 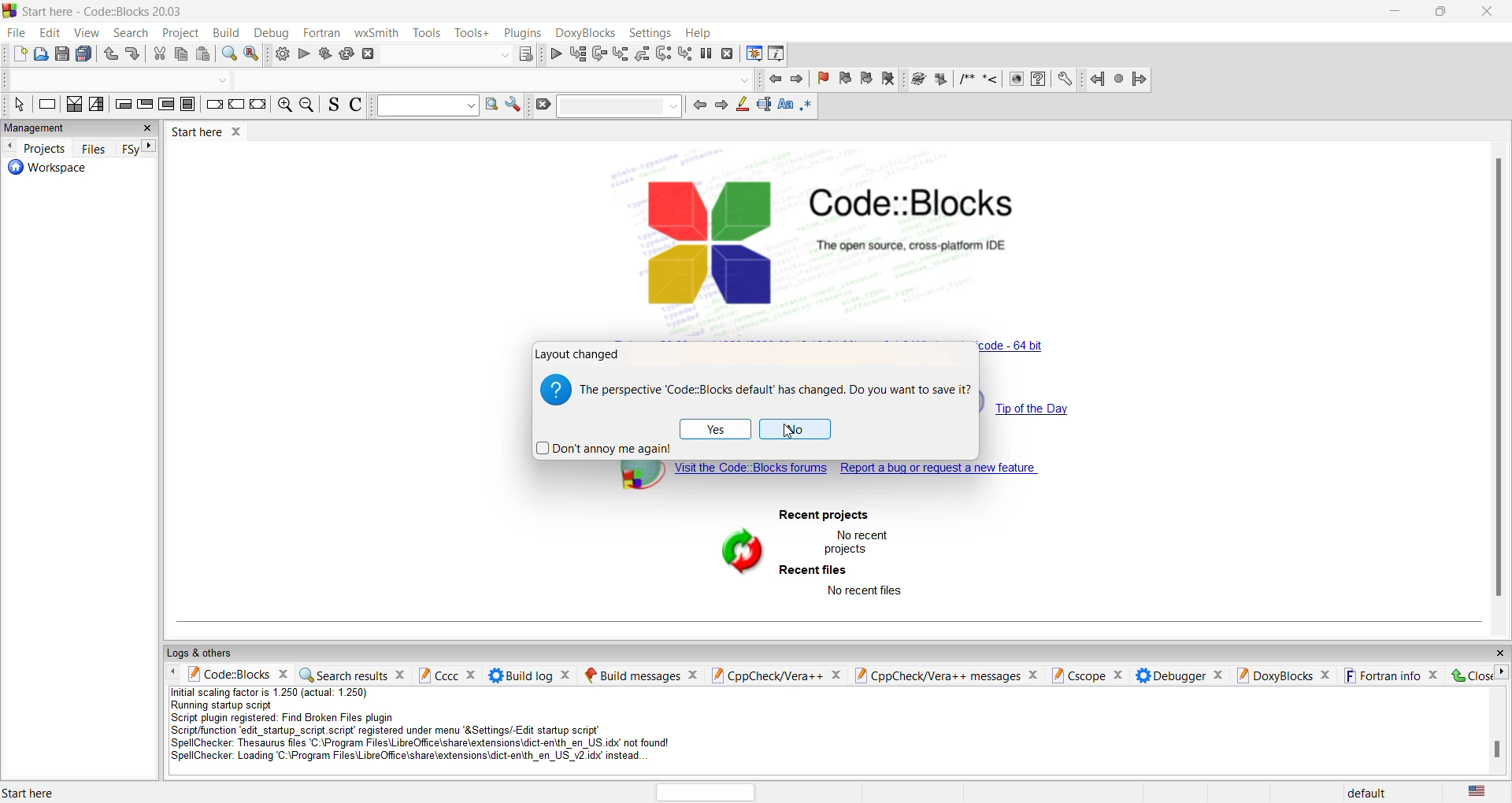 I want to click on start here, so click(x=51, y=790).